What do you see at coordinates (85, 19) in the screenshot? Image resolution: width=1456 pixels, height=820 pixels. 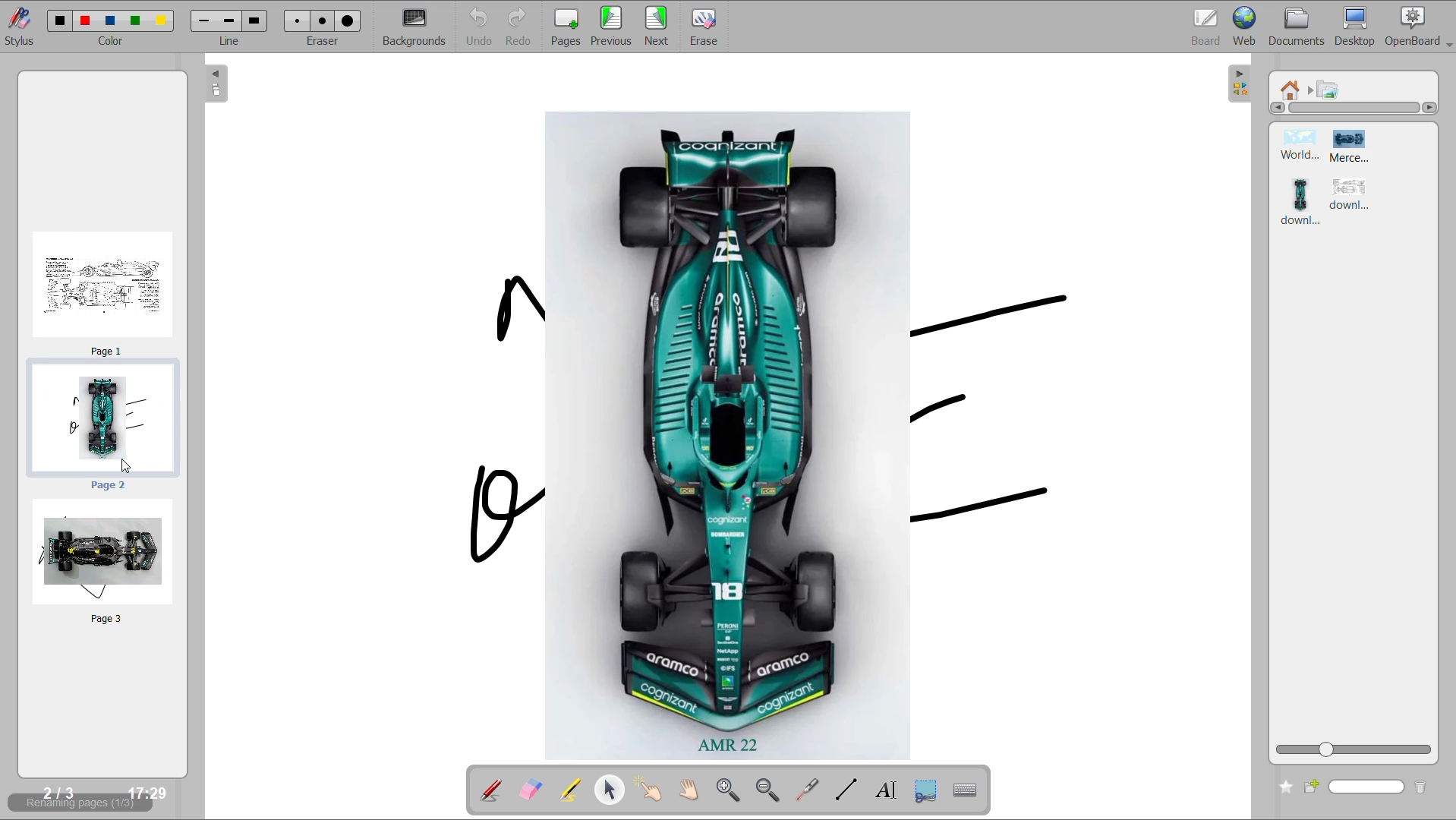 I see `color 2` at bounding box center [85, 19].